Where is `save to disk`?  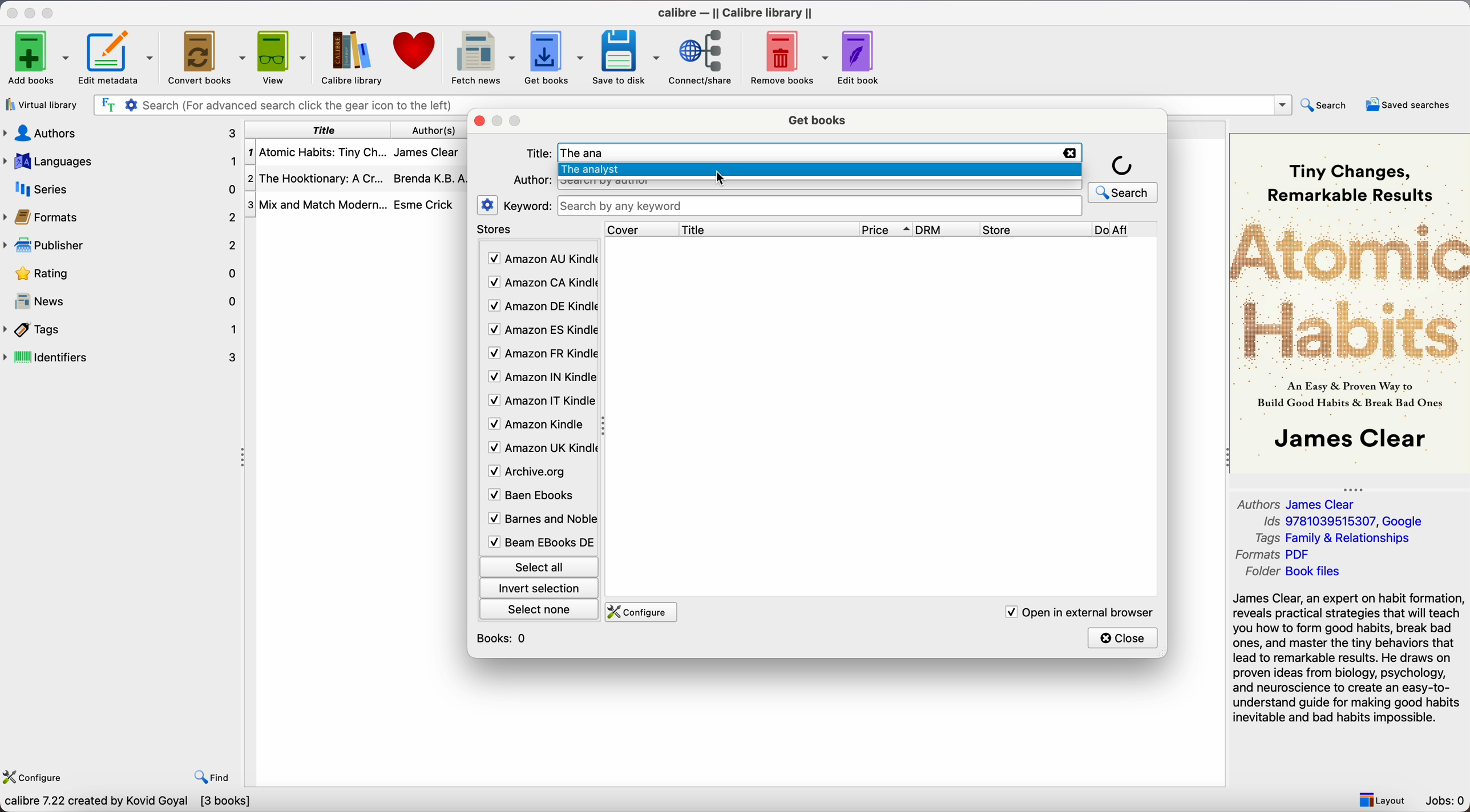 save to disk is located at coordinates (625, 56).